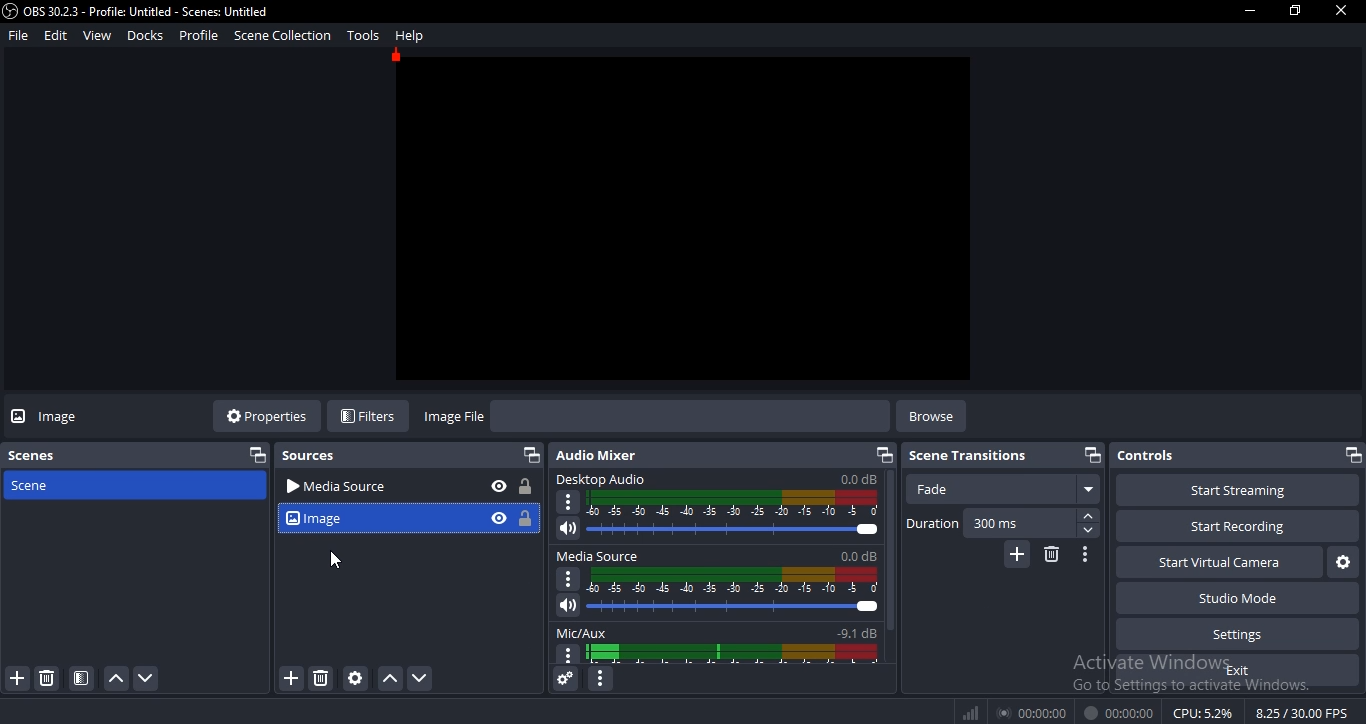  Describe the element at coordinates (569, 655) in the screenshot. I see `options` at that location.